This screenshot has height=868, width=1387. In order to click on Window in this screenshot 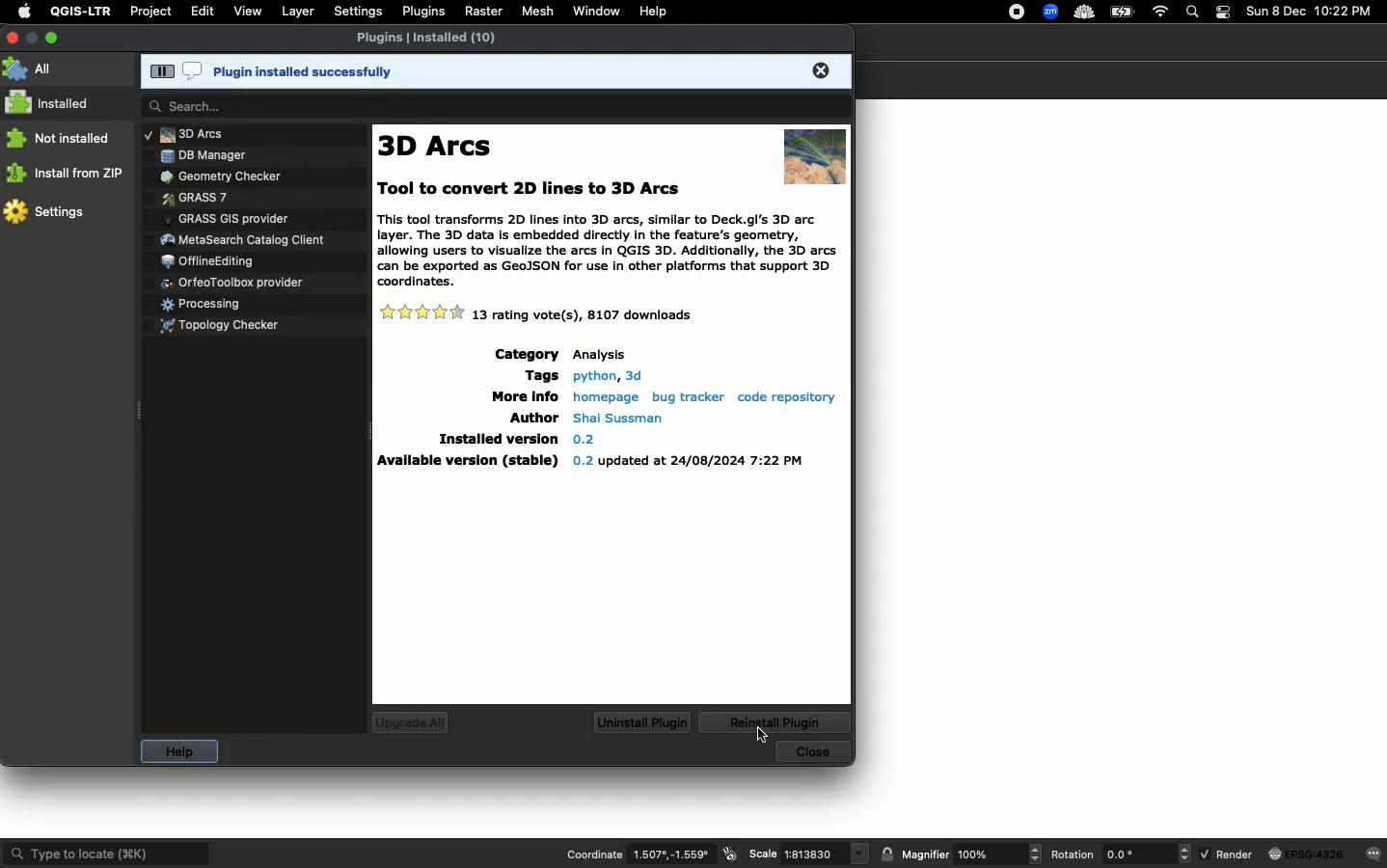, I will do `click(595, 10)`.